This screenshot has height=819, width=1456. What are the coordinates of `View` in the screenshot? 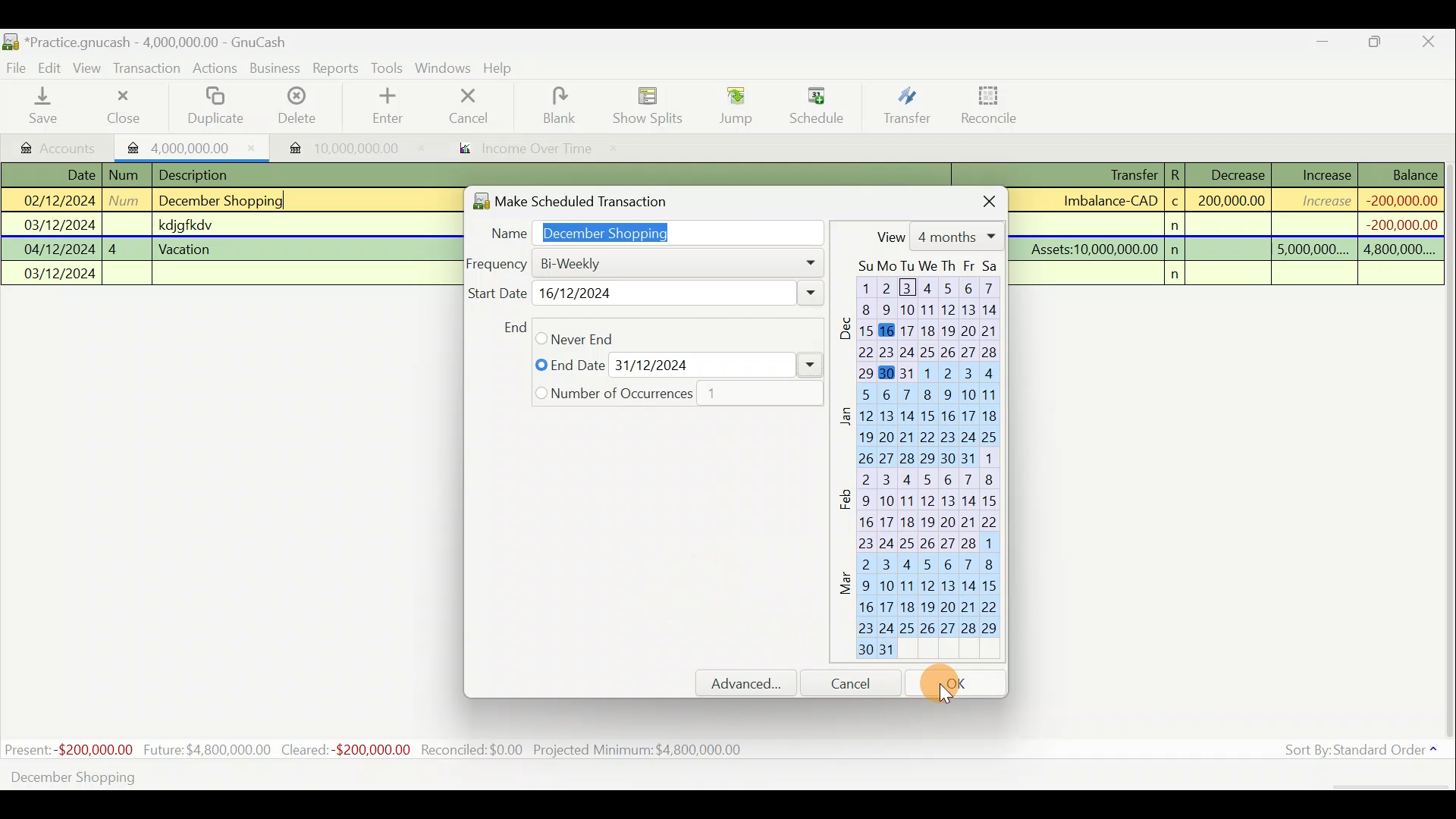 It's located at (89, 68).